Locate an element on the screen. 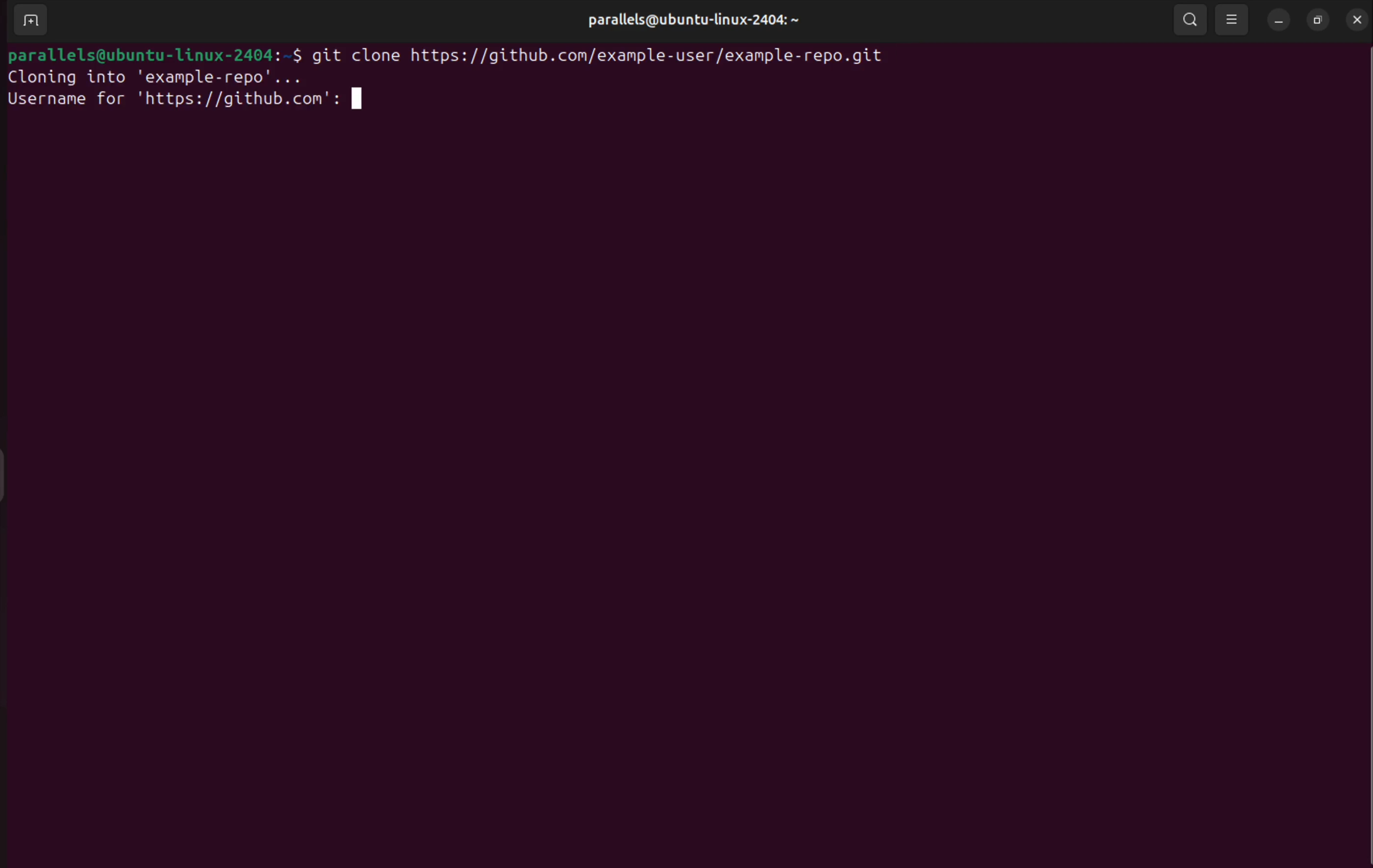  add terminal is located at coordinates (27, 21).